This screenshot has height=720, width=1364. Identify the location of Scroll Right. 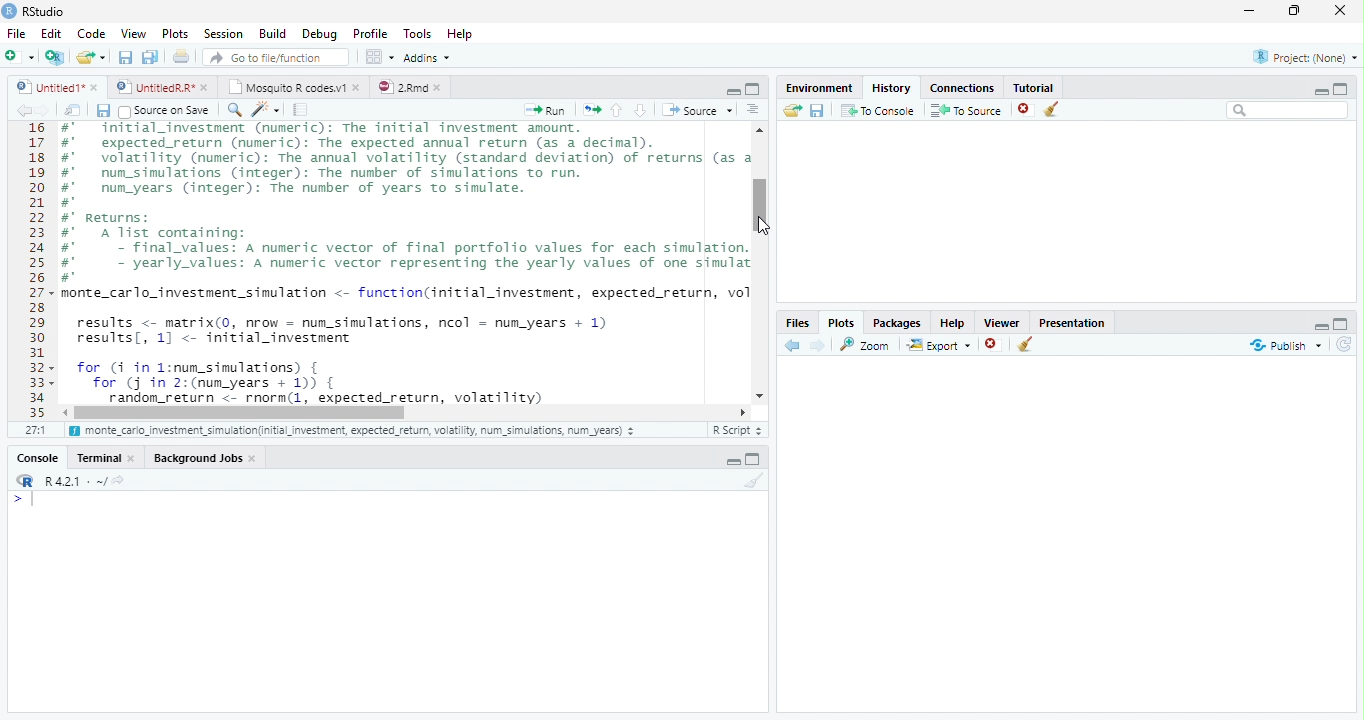
(743, 411).